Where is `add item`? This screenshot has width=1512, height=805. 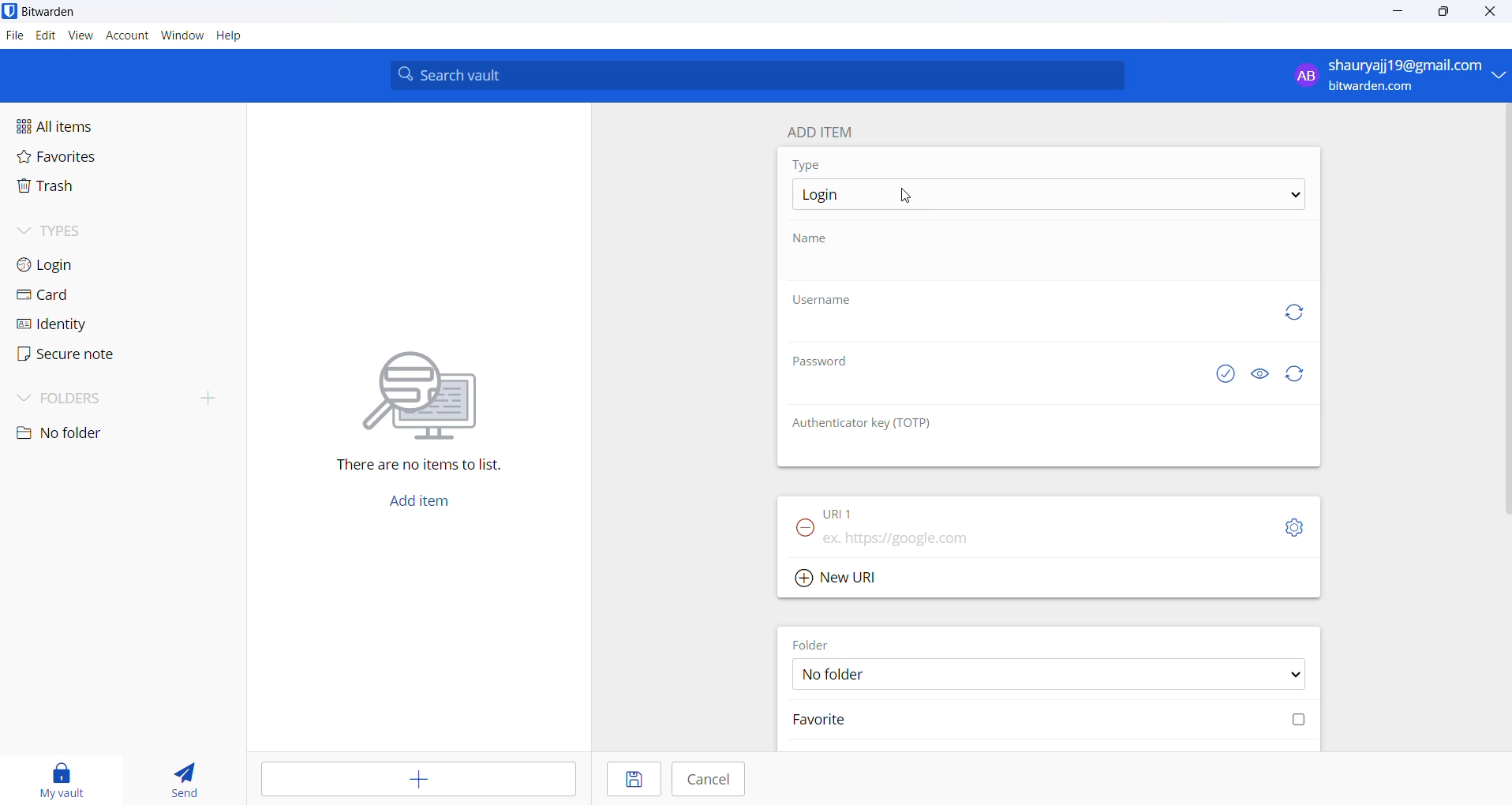
add item is located at coordinates (429, 500).